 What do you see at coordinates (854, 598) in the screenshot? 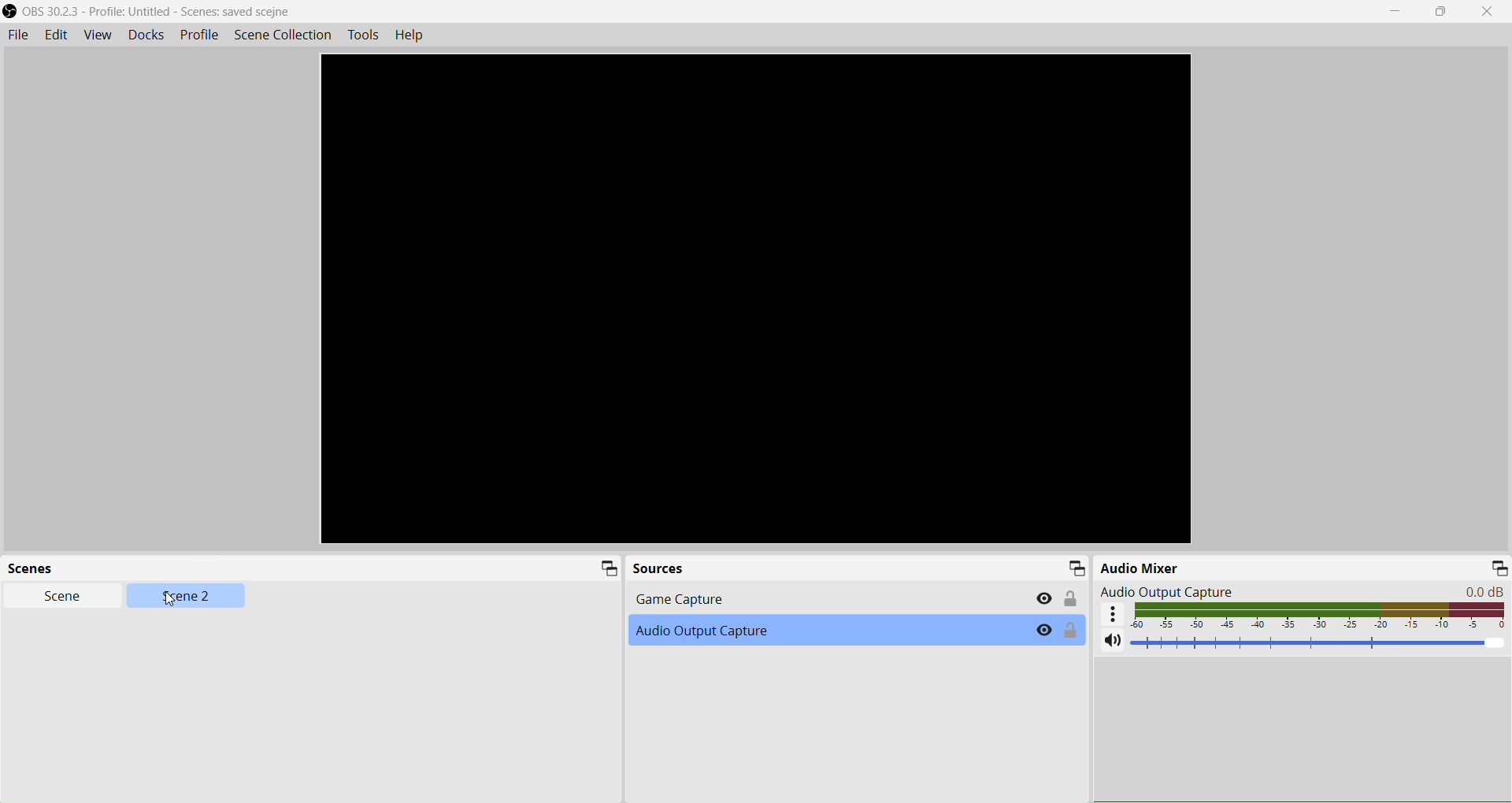
I see `Game Capture` at bounding box center [854, 598].